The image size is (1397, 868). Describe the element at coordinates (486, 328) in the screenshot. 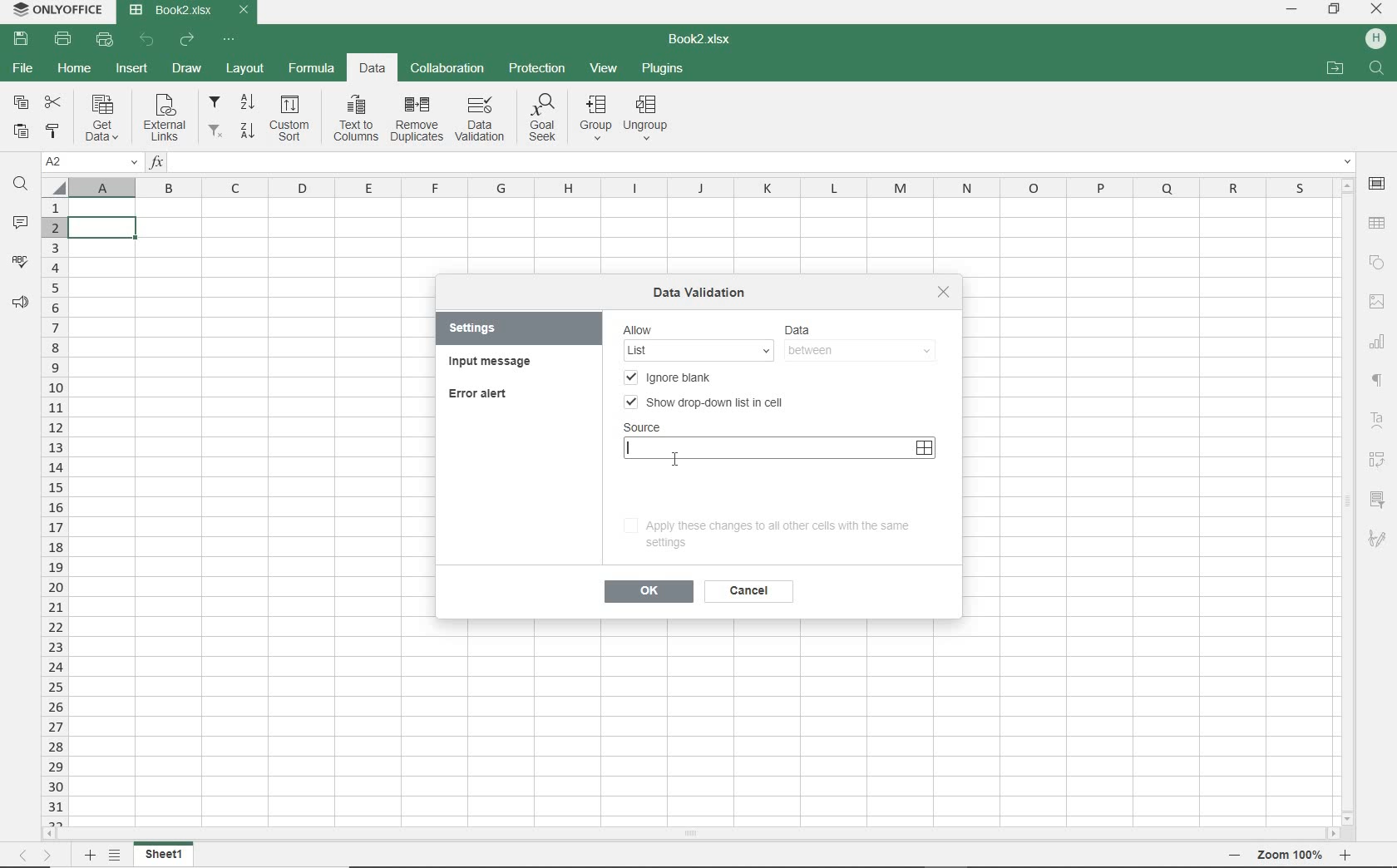

I see `settings` at that location.